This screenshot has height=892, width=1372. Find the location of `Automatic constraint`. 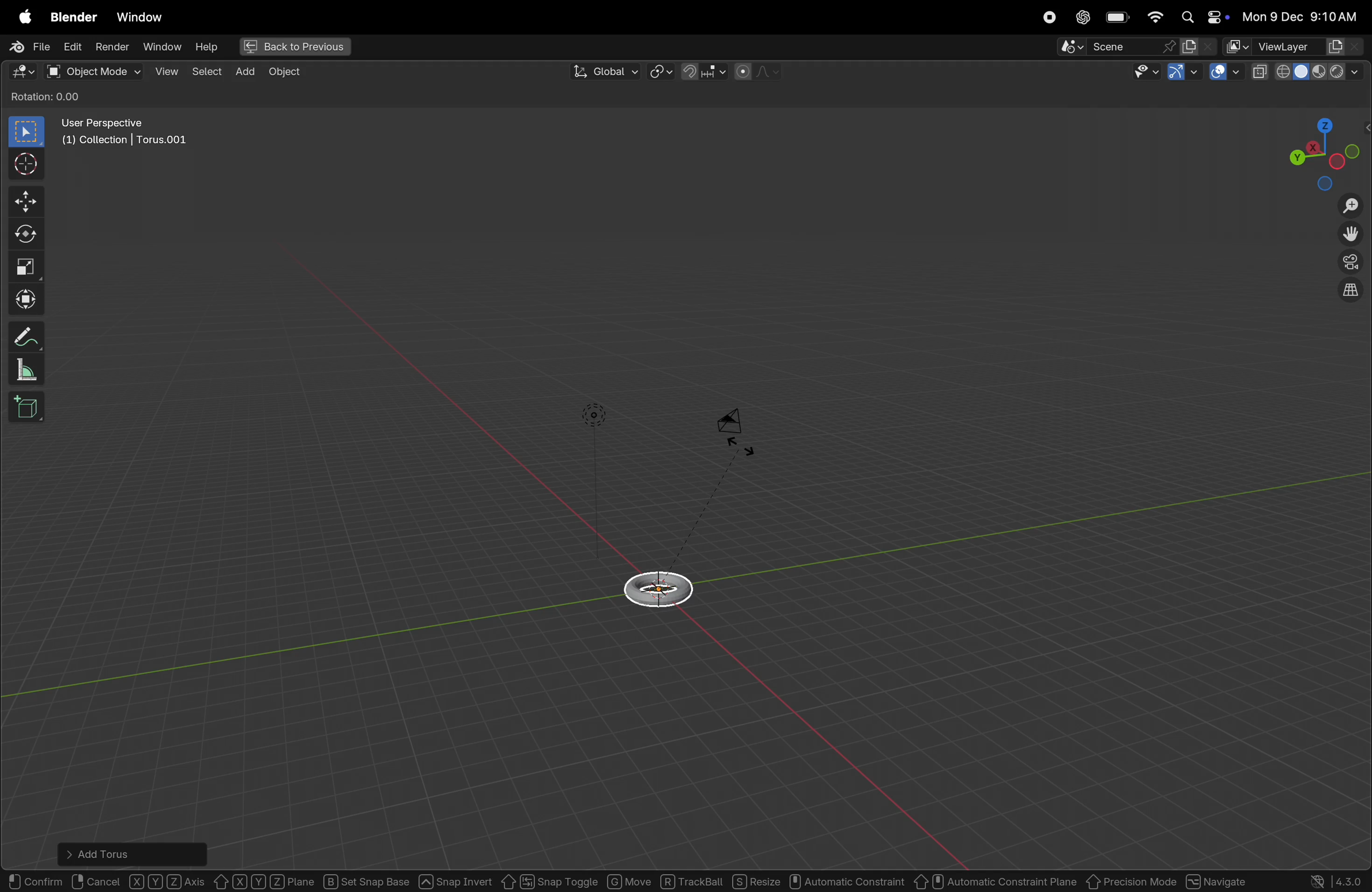

Automatic constraint is located at coordinates (849, 882).